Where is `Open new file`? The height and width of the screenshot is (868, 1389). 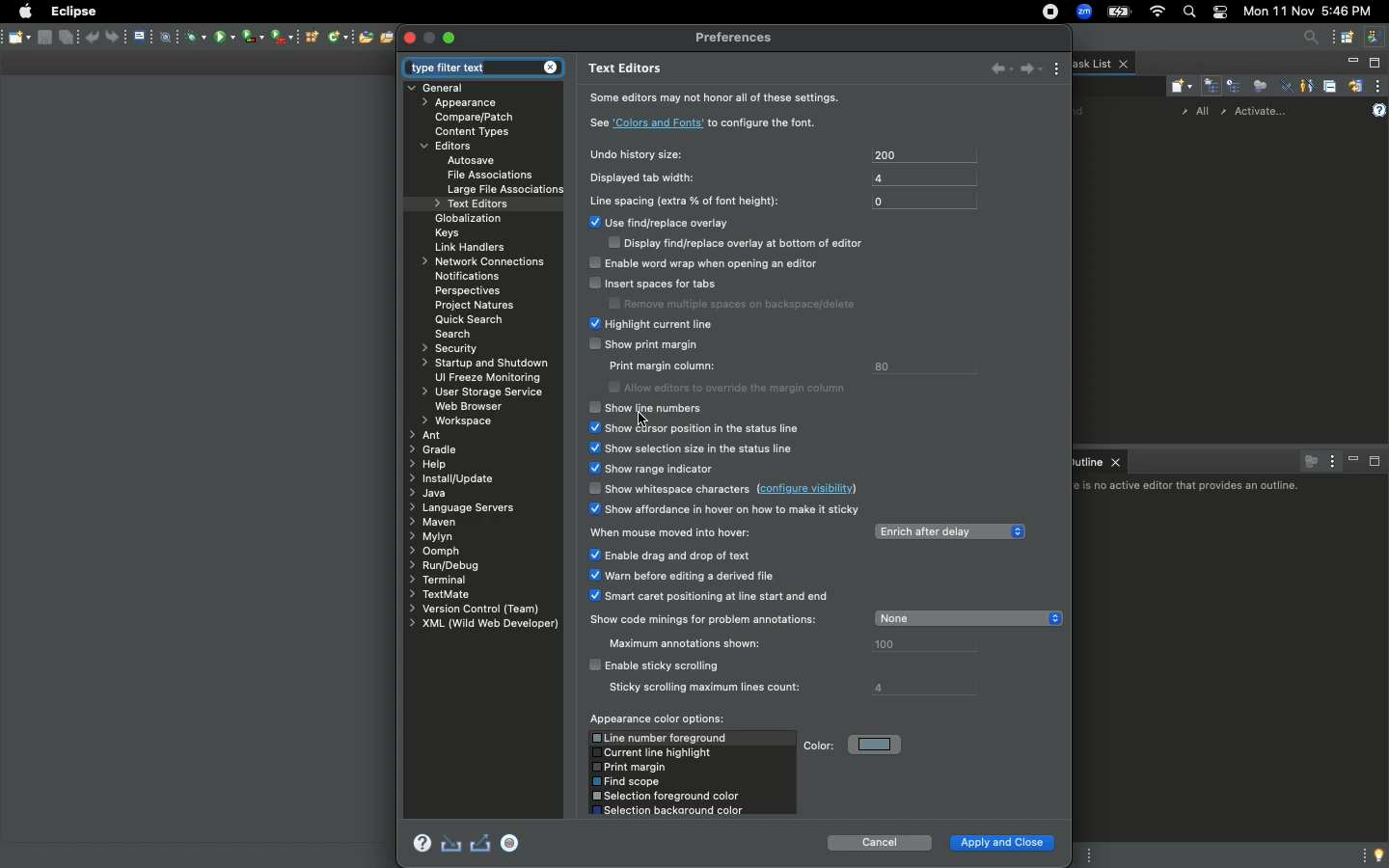 Open new file is located at coordinates (363, 38).